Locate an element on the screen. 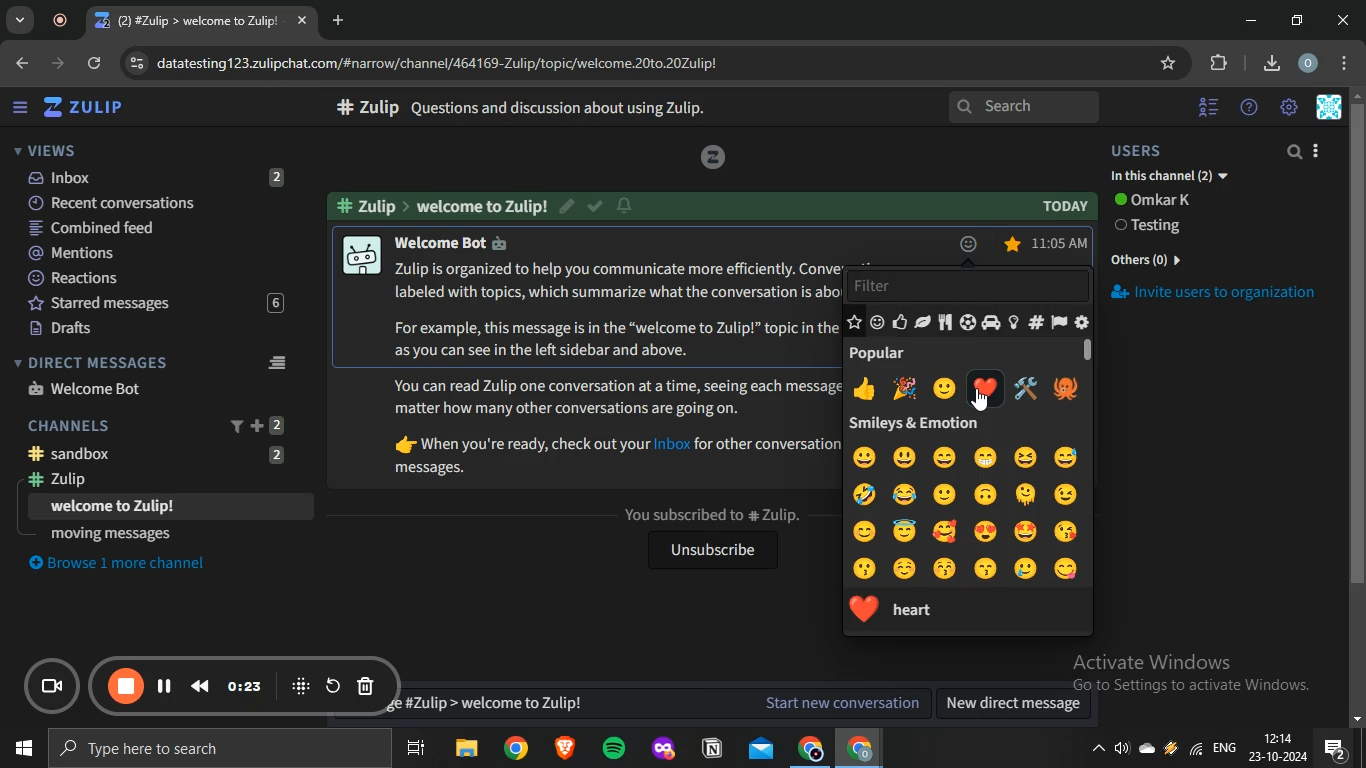 The height and width of the screenshot is (768, 1366). drafts is located at coordinates (151, 329).